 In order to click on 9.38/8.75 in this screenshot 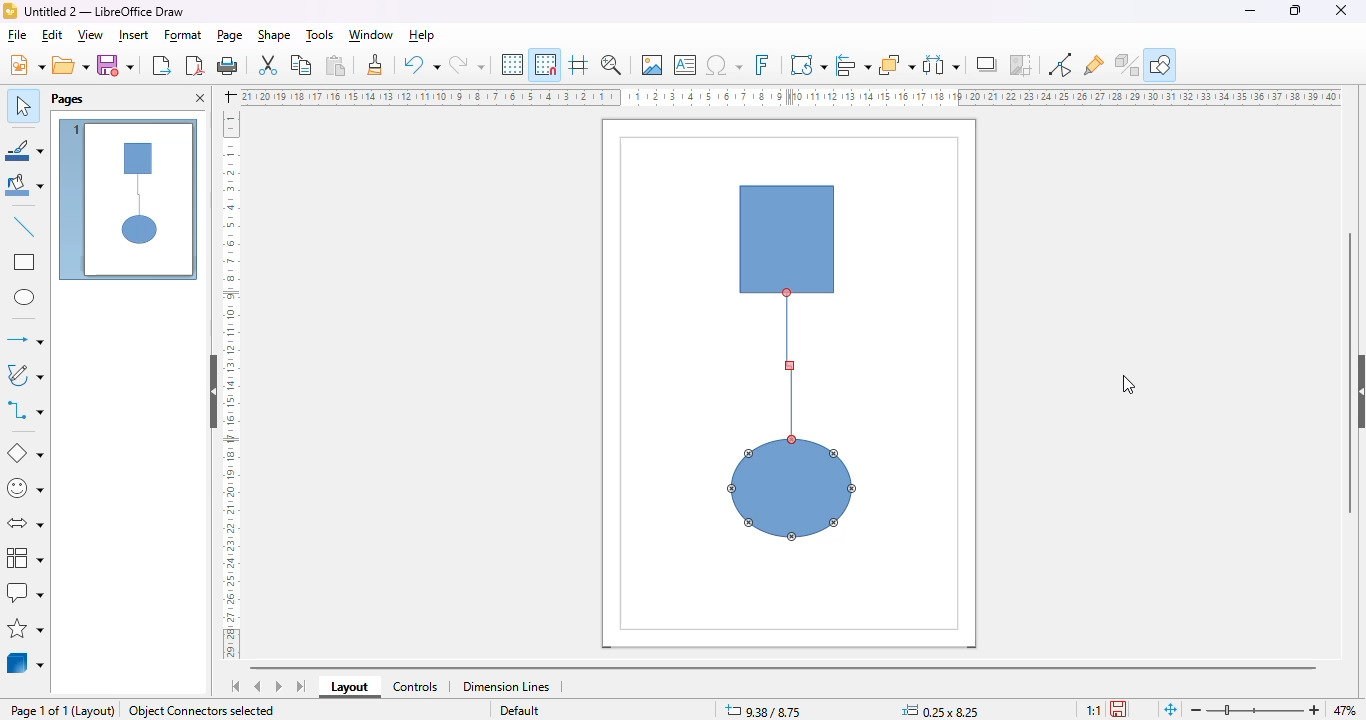, I will do `click(764, 710)`.